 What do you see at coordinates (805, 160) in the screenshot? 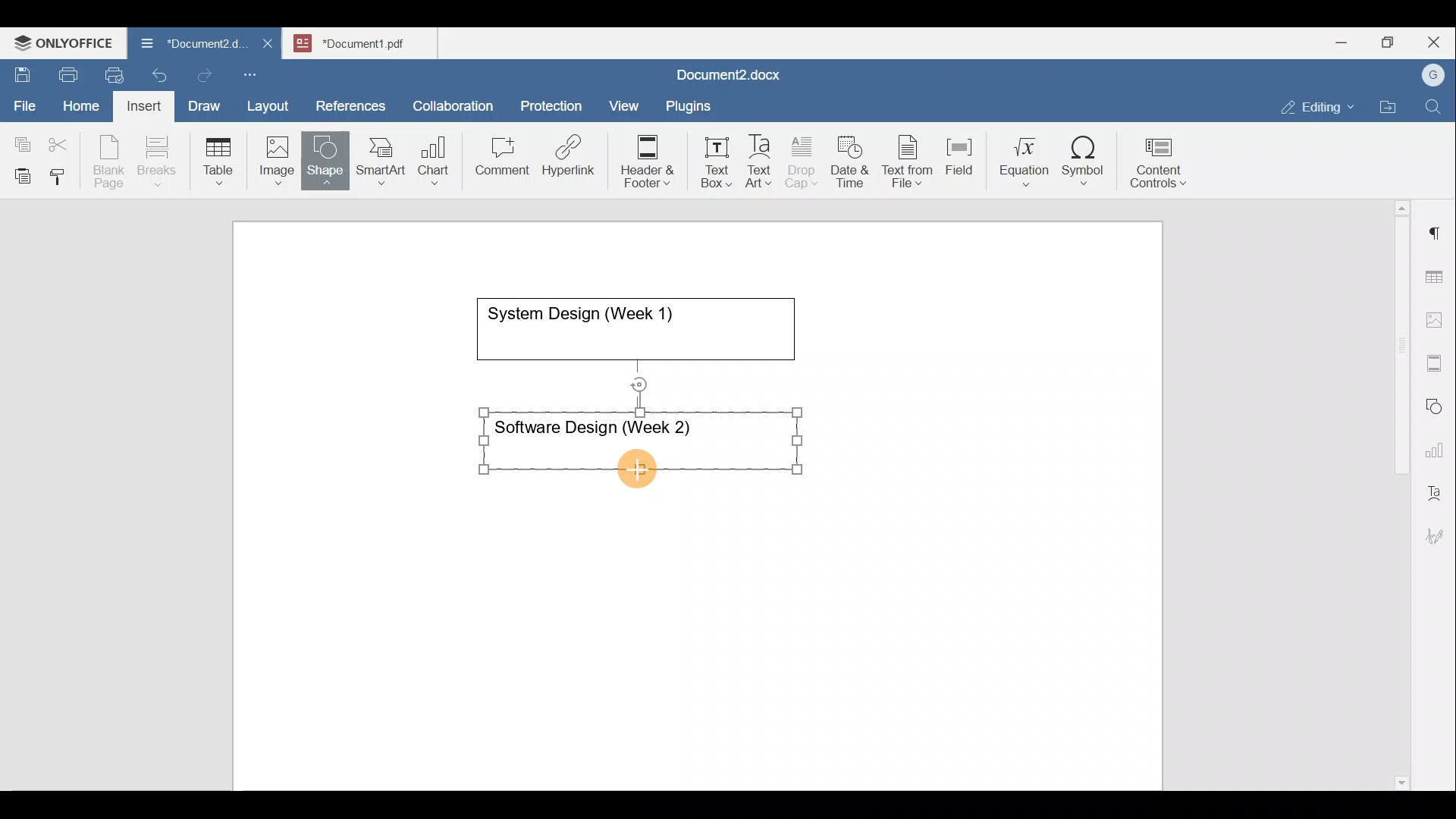
I see `Drop cap` at bounding box center [805, 160].